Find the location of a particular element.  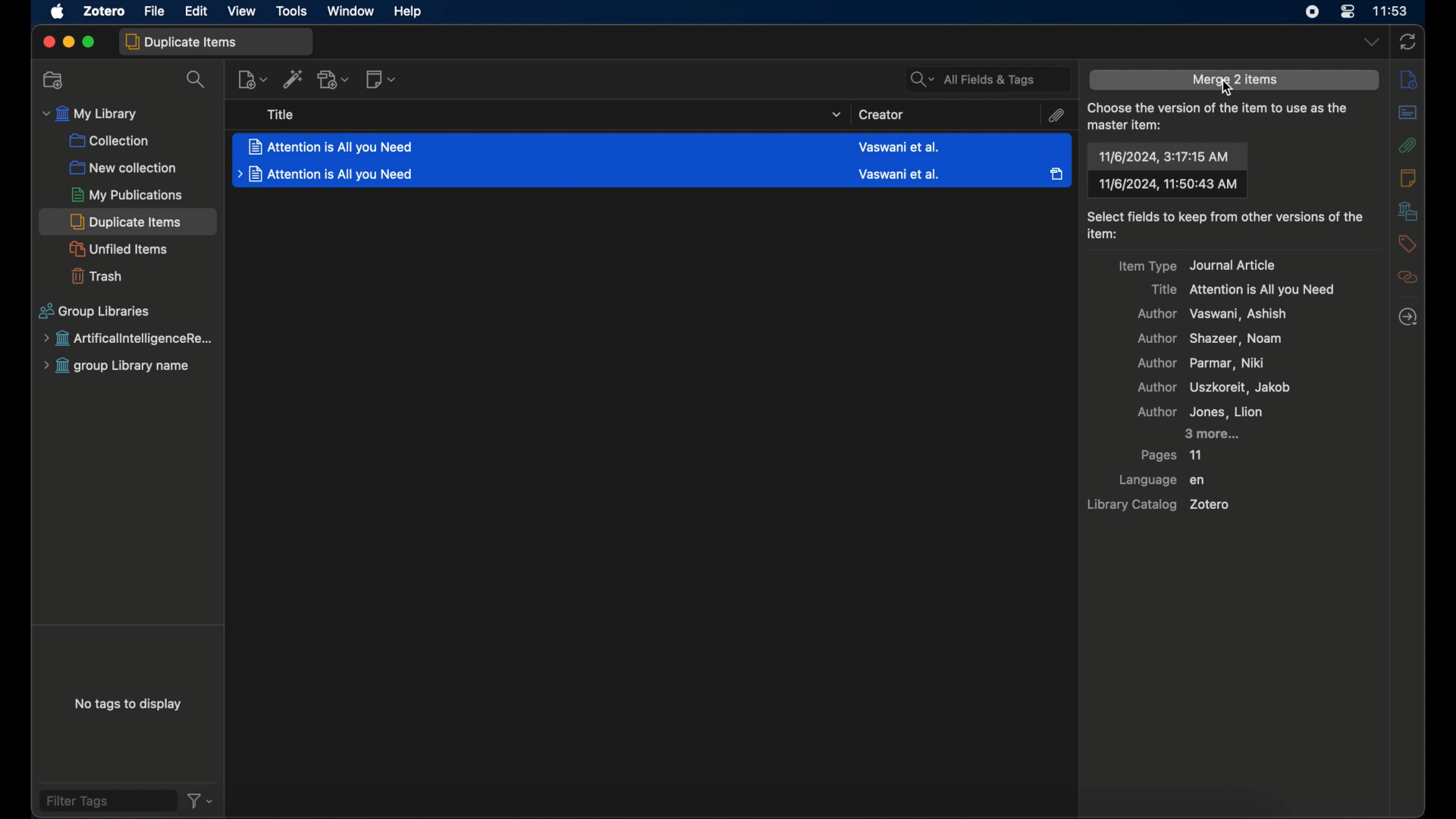

author uszkoreit, jakob is located at coordinates (1216, 388).